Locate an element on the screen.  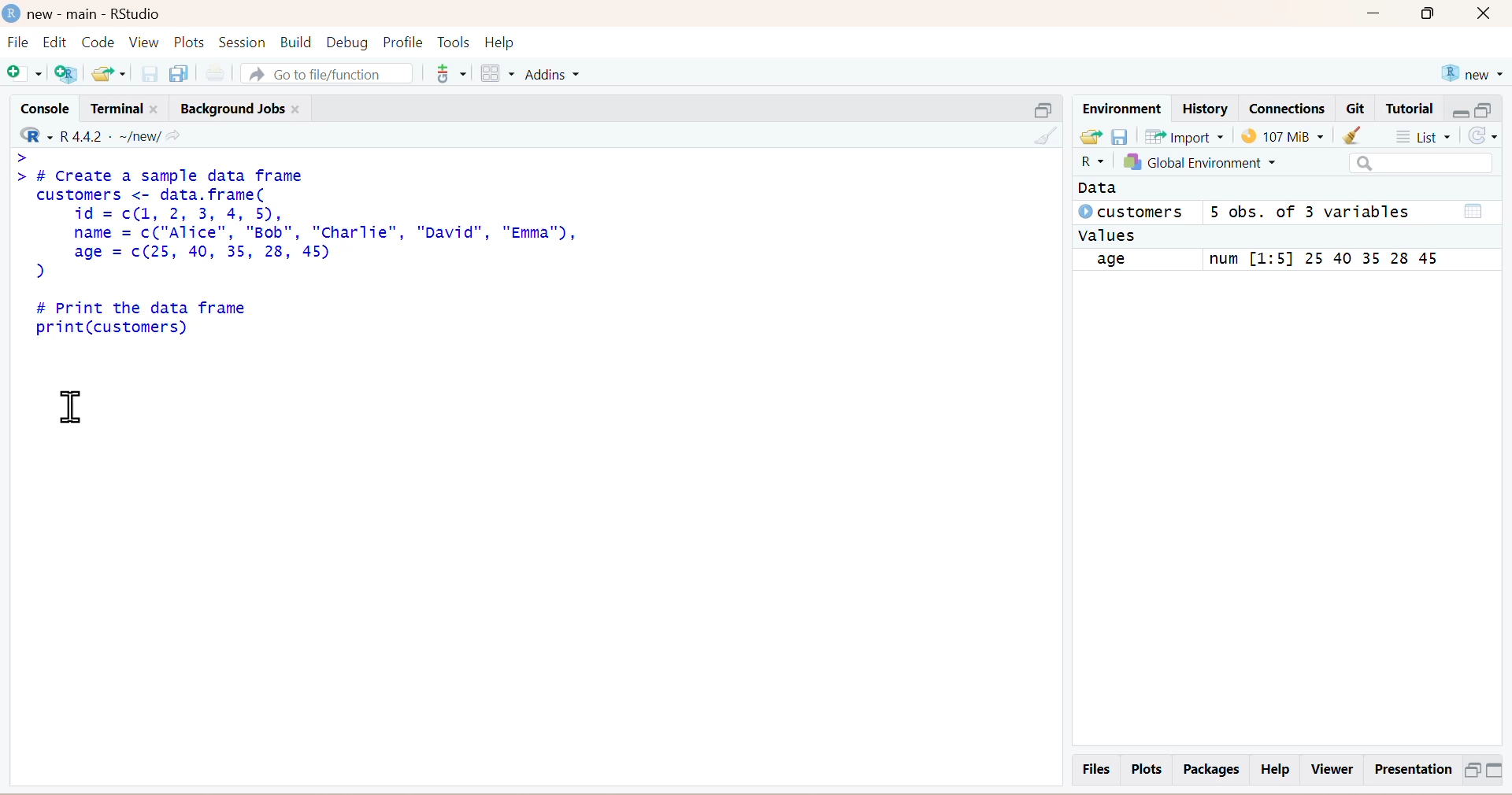
values is located at coordinates (1109, 236).